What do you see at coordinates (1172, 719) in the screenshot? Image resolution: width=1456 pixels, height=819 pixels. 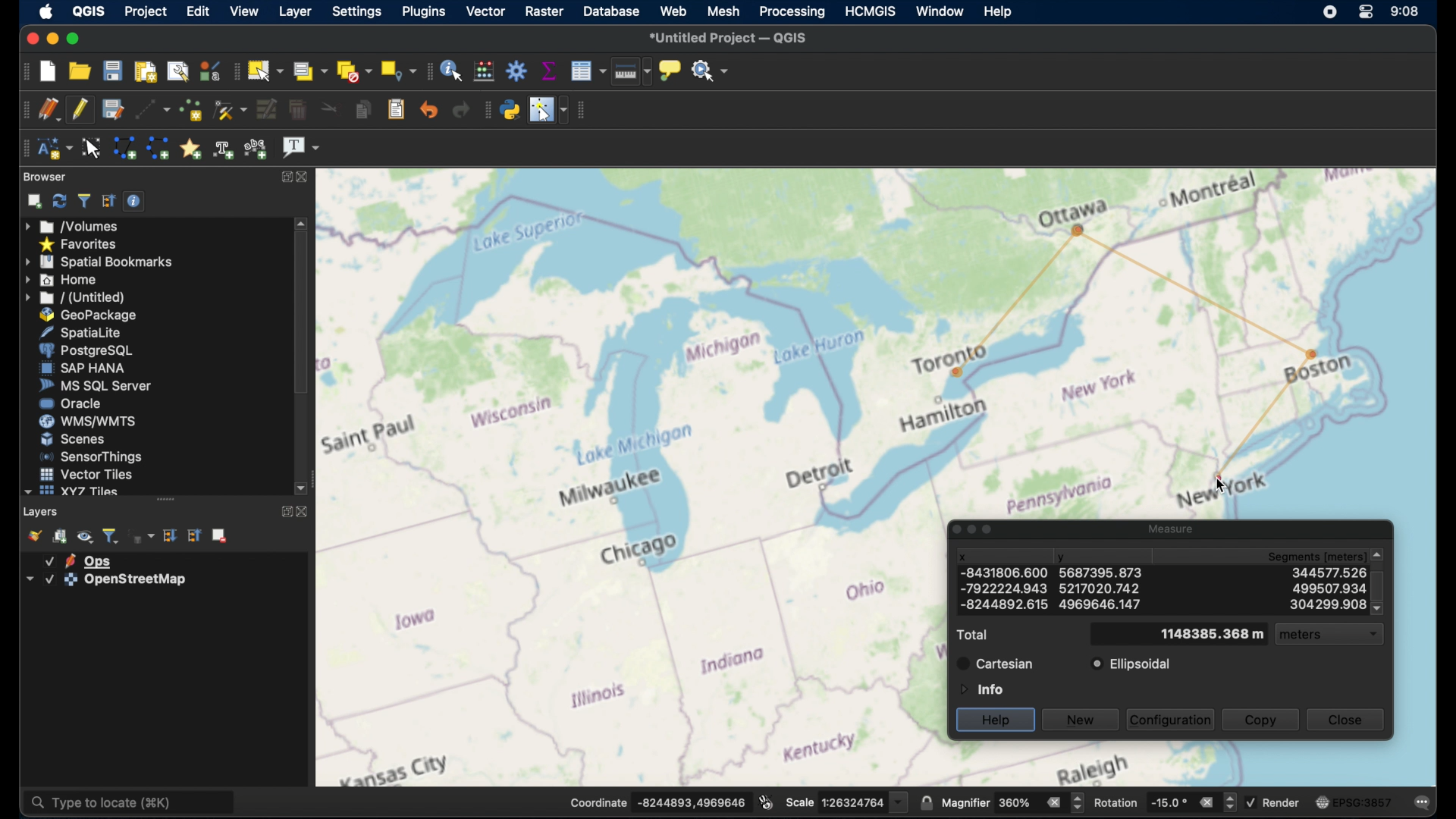 I see `configuration` at bounding box center [1172, 719].